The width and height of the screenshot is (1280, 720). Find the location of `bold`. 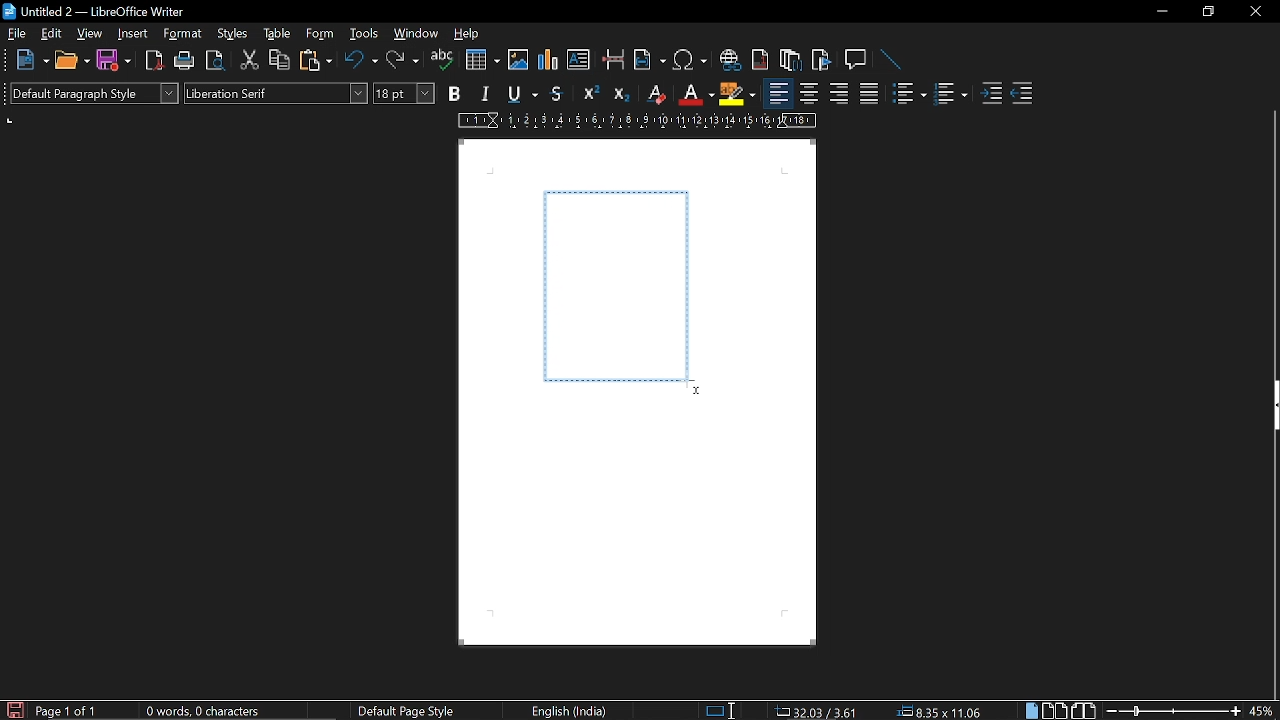

bold is located at coordinates (453, 94).